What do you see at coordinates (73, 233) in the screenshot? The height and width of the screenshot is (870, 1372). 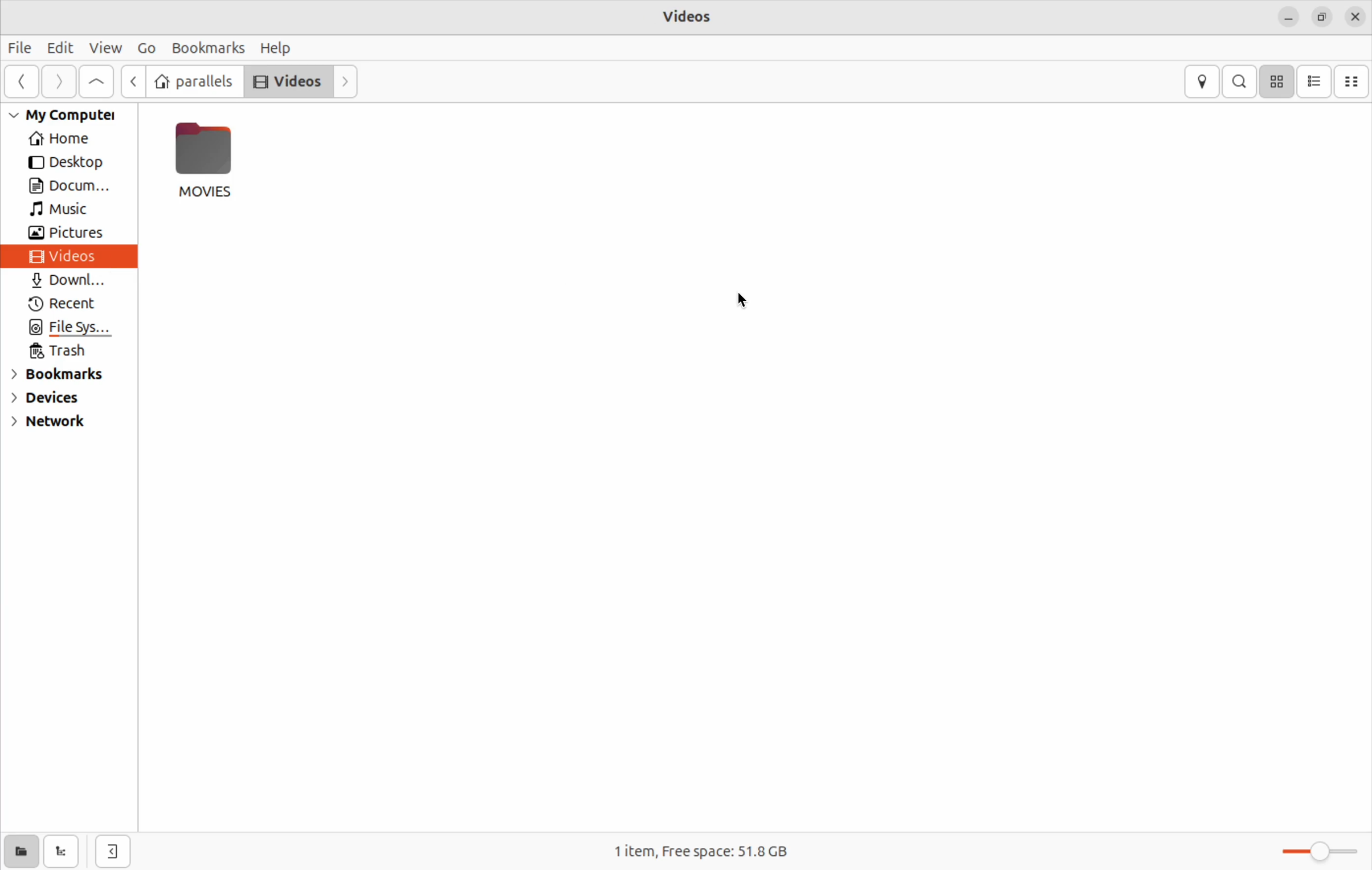 I see `Pictures` at bounding box center [73, 233].